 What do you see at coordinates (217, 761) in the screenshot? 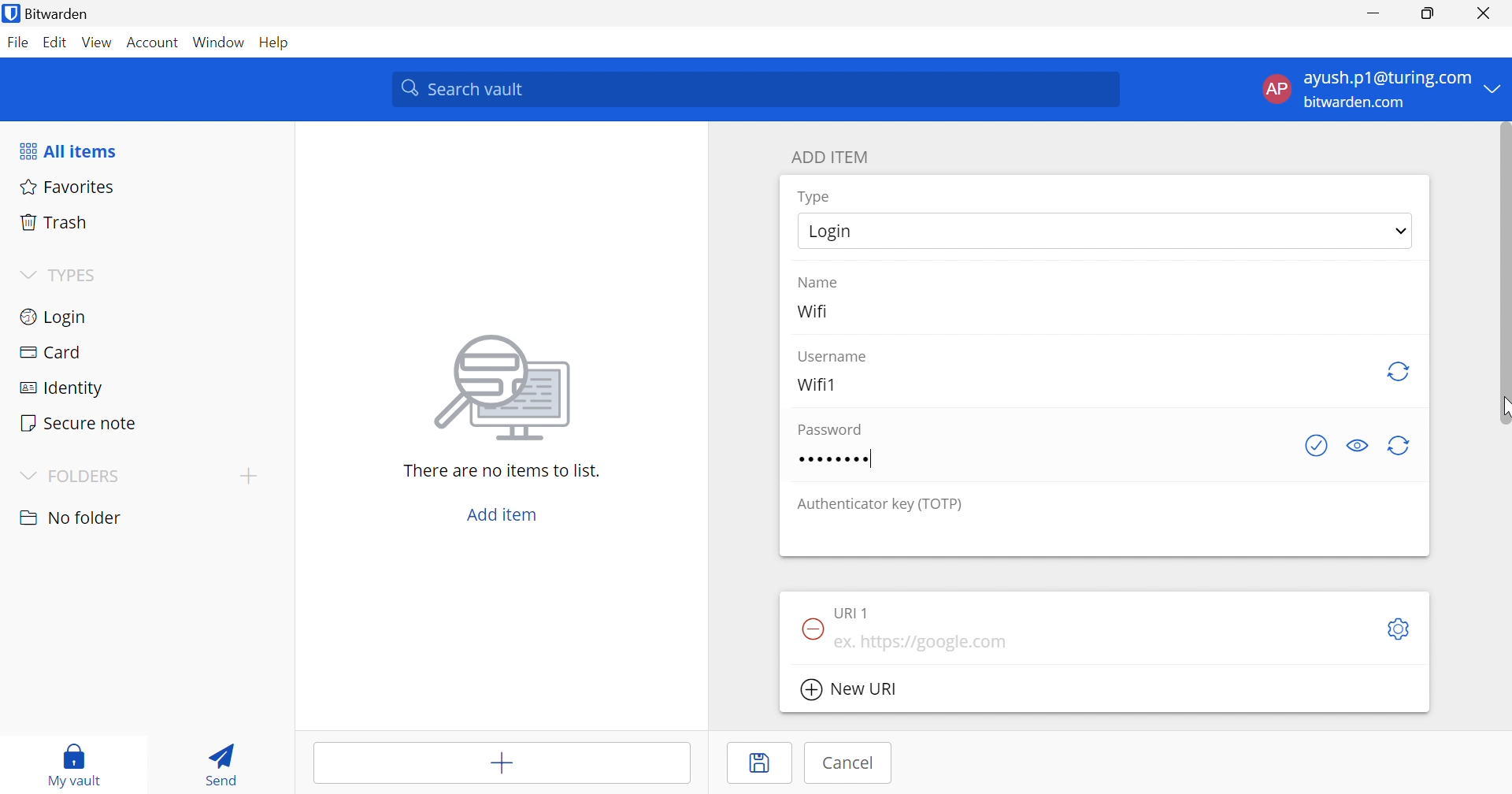
I see `Send` at bounding box center [217, 761].